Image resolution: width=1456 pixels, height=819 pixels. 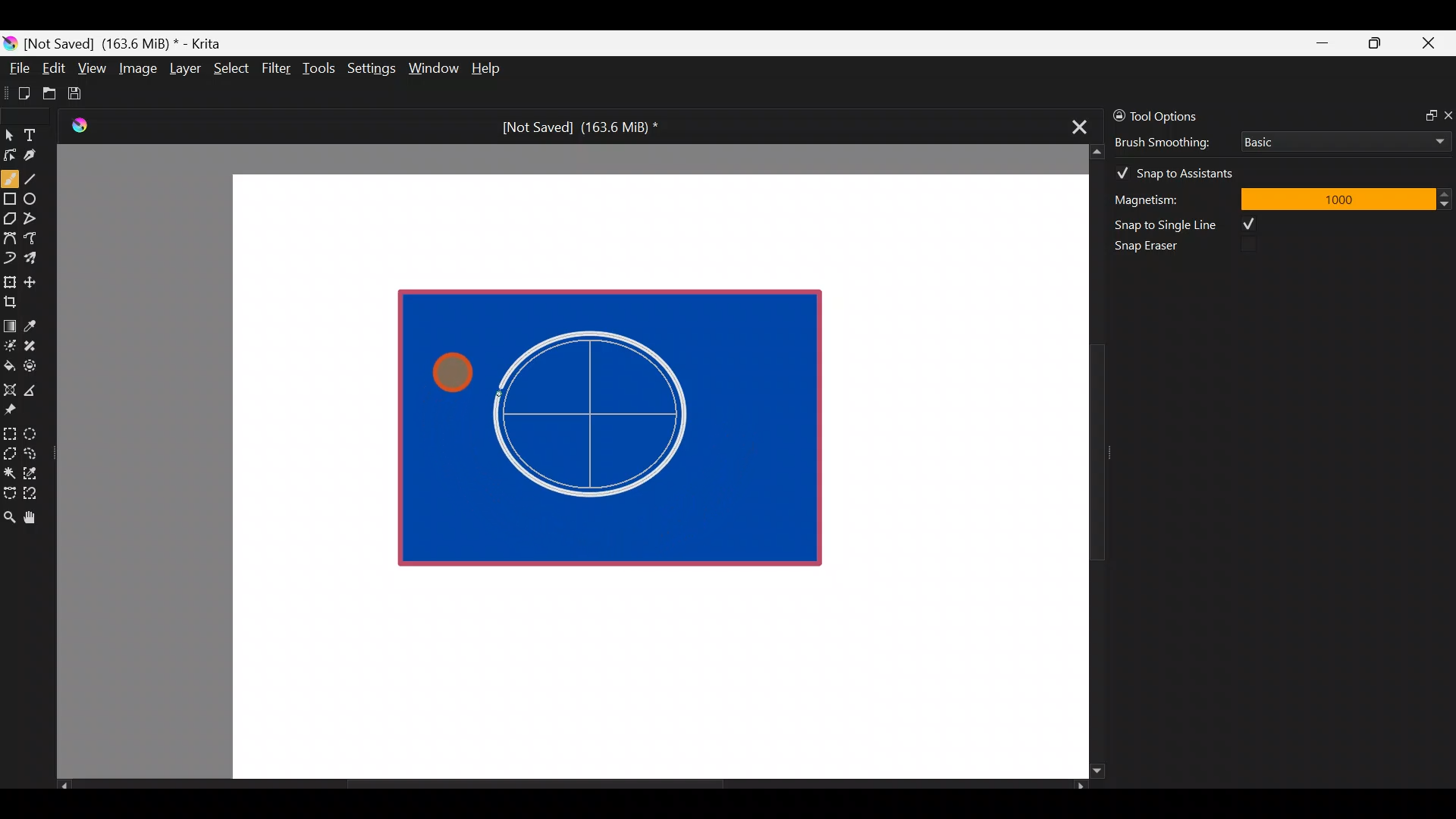 I want to click on Save, so click(x=85, y=93).